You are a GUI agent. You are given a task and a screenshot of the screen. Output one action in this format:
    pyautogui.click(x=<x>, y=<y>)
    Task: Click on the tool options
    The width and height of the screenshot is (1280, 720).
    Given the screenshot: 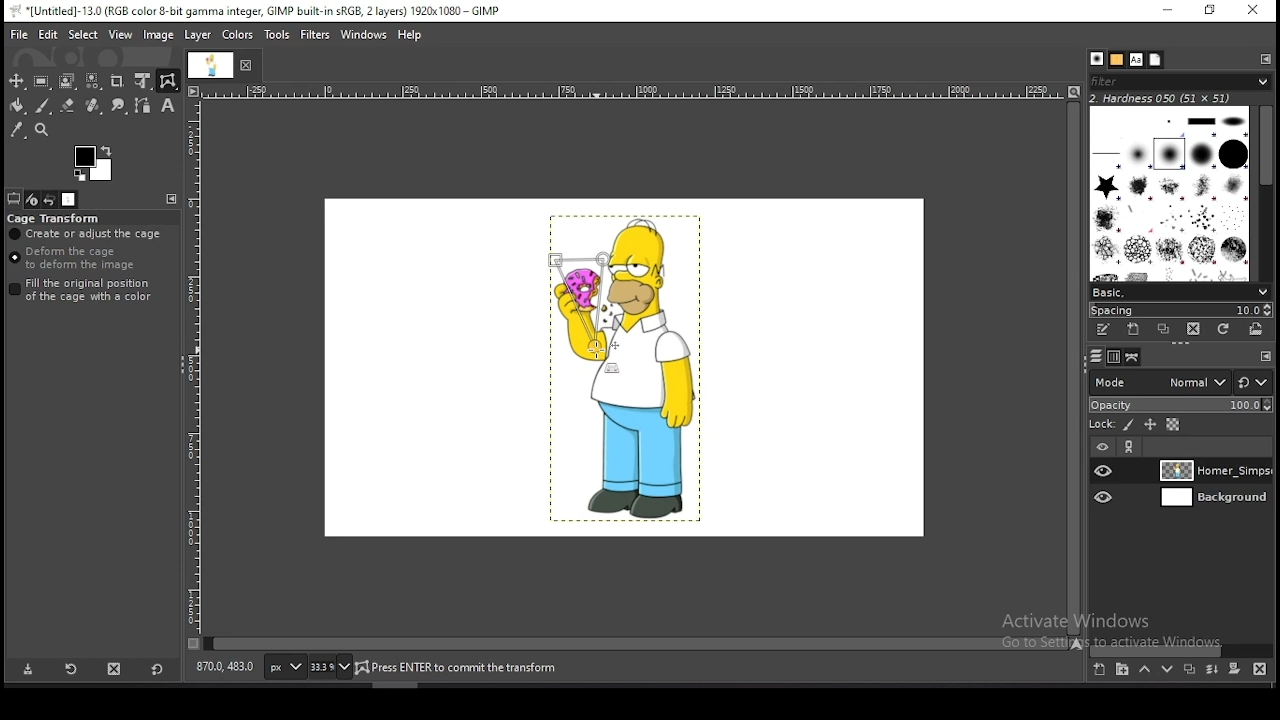 What is the action you would take?
    pyautogui.click(x=14, y=199)
    